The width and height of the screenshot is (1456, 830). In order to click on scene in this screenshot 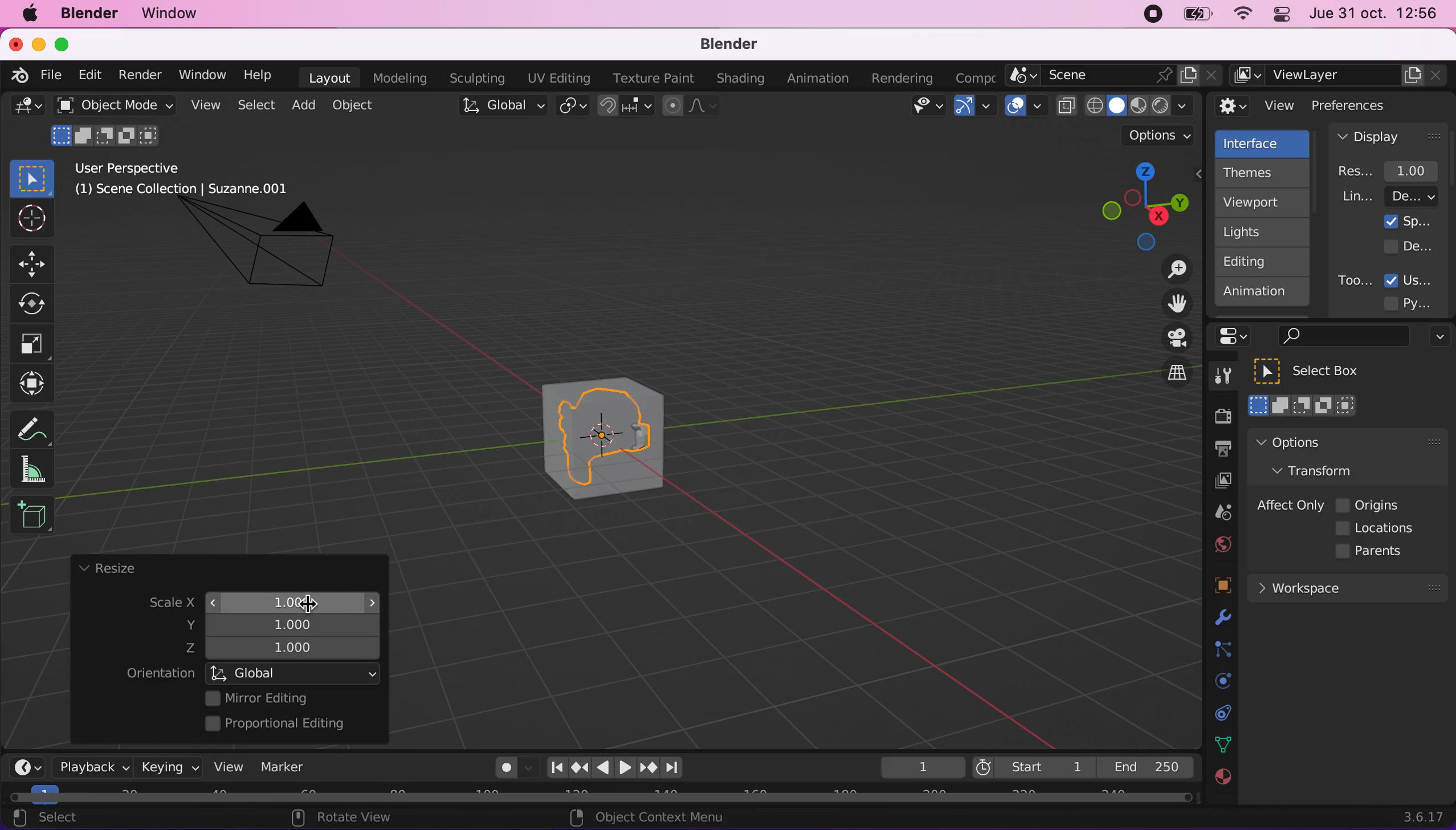, I will do `click(1114, 76)`.